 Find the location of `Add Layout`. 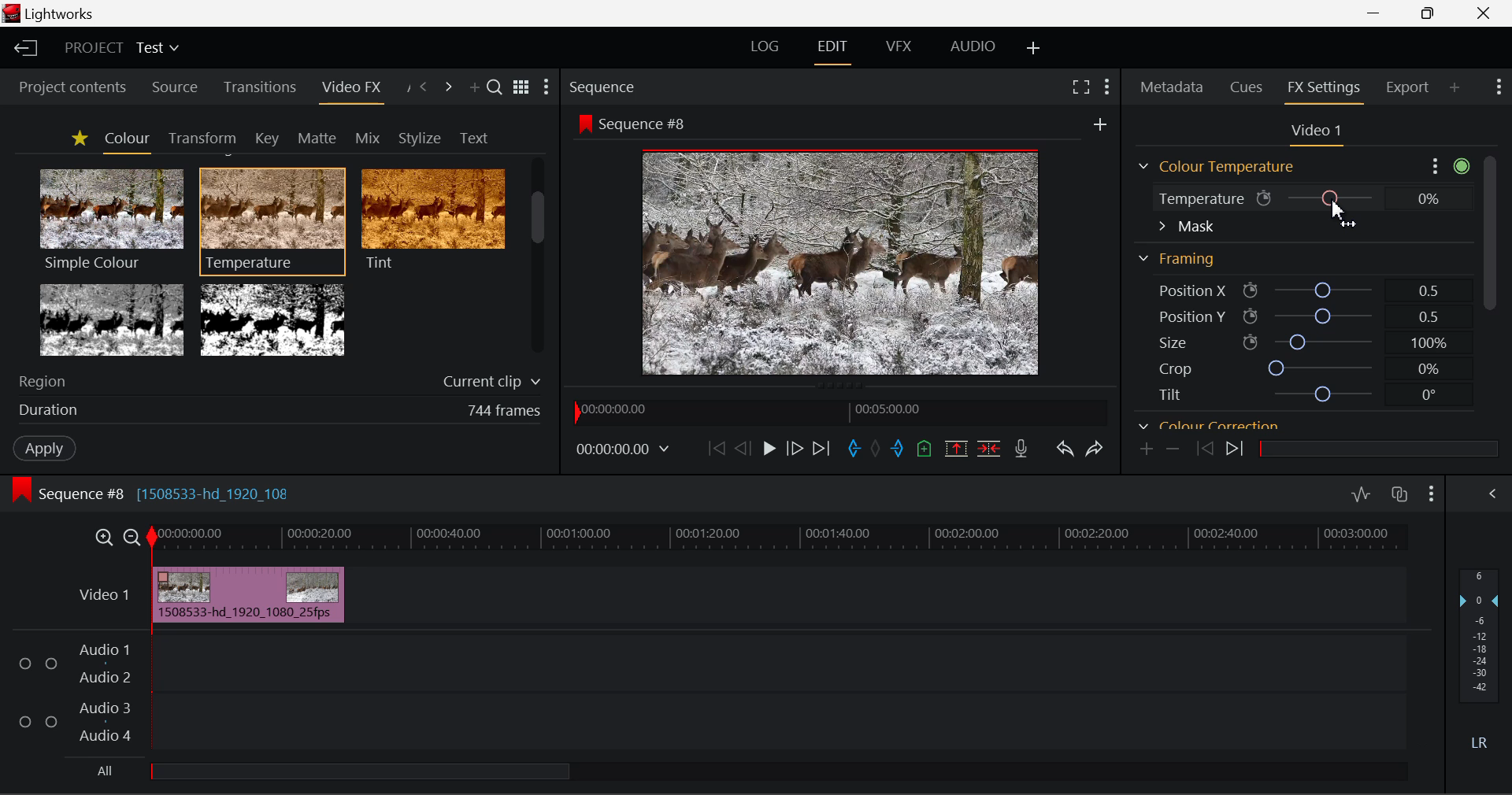

Add Layout is located at coordinates (1033, 48).